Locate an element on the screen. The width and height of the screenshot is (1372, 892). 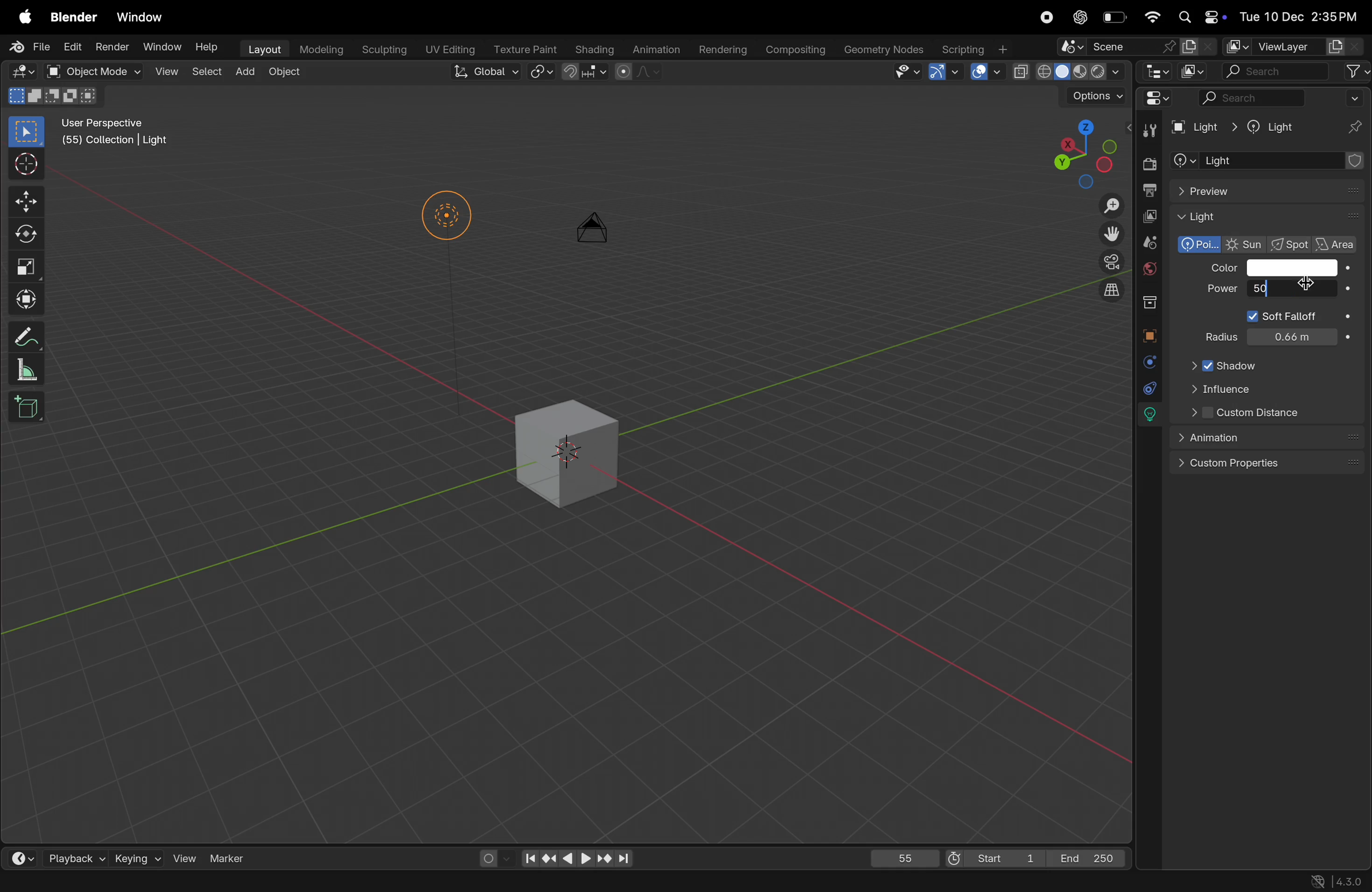
Color is located at coordinates (1220, 270).